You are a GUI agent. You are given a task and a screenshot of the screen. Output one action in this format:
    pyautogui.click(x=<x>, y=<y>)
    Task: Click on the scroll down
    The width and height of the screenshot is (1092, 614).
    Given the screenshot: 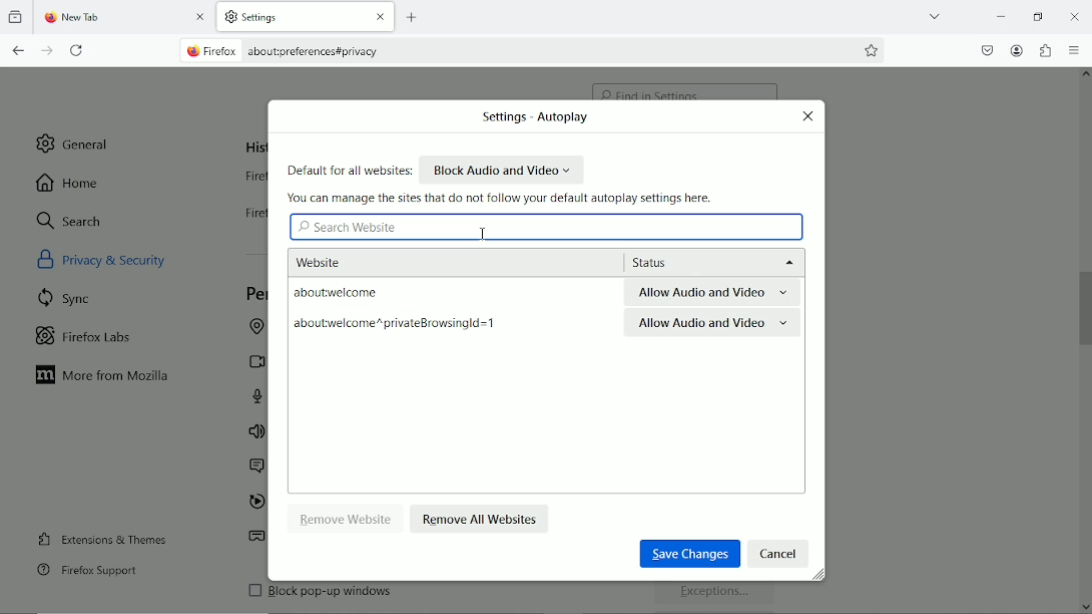 What is the action you would take?
    pyautogui.click(x=1084, y=603)
    